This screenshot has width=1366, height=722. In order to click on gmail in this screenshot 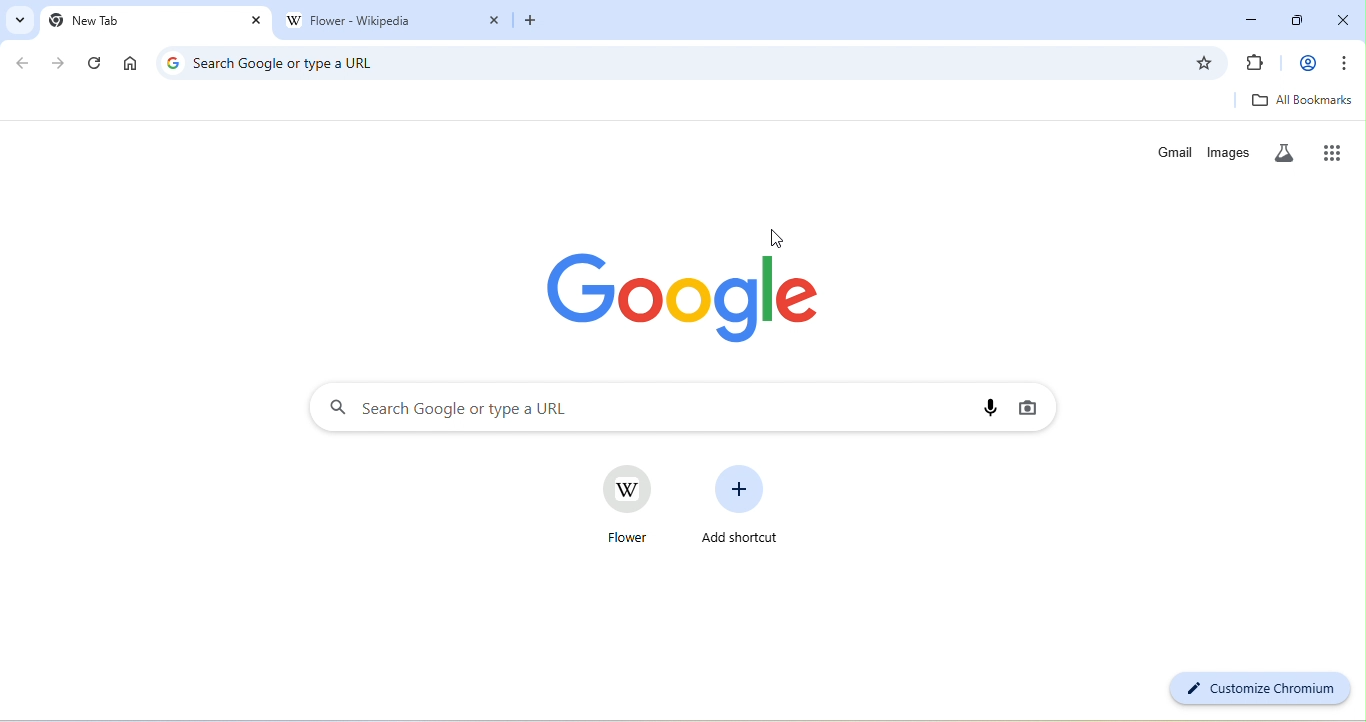, I will do `click(1175, 152)`.